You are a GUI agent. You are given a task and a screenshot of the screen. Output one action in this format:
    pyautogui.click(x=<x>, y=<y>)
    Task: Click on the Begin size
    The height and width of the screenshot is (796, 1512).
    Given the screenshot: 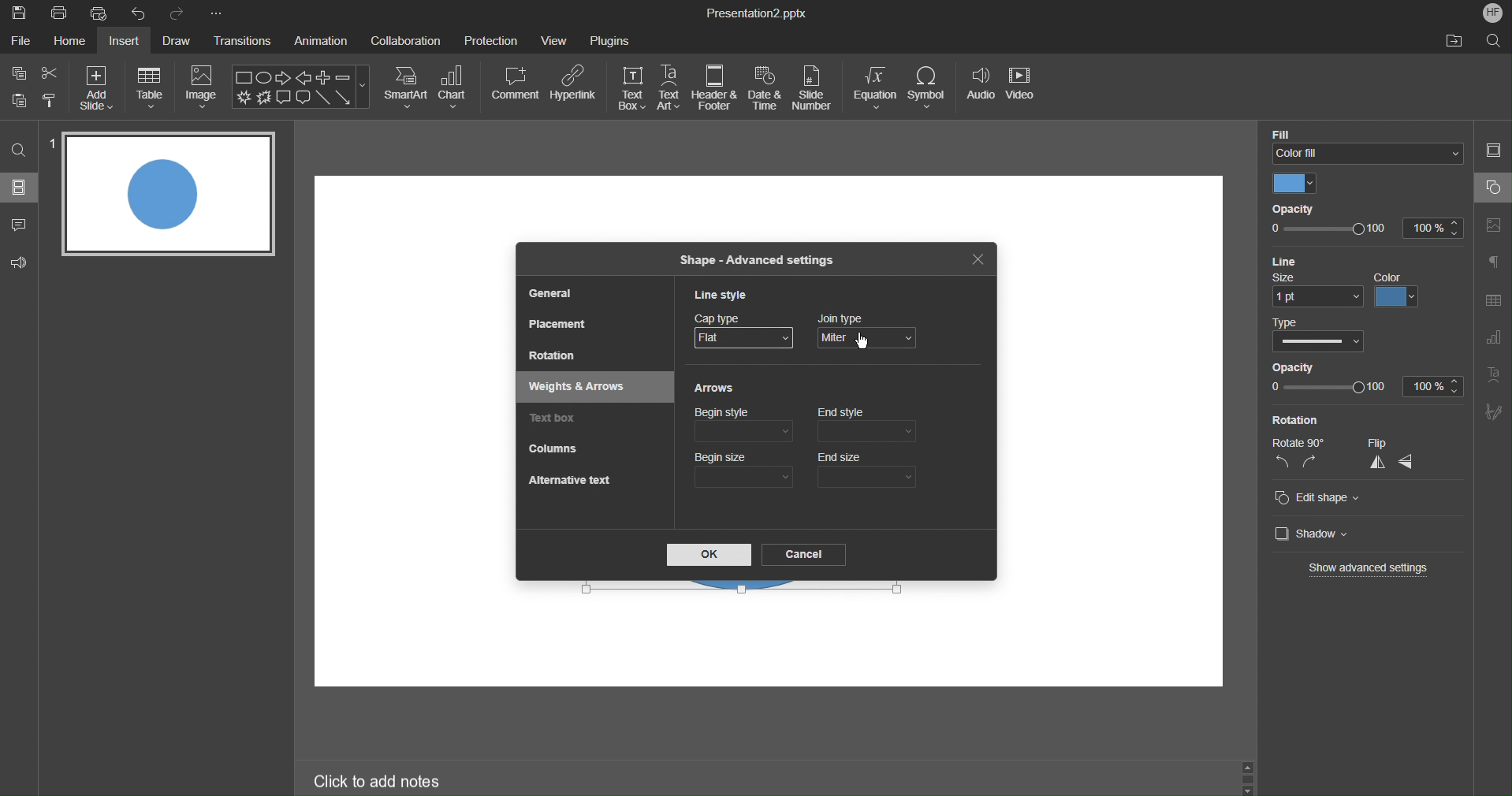 What is the action you would take?
    pyautogui.click(x=744, y=470)
    